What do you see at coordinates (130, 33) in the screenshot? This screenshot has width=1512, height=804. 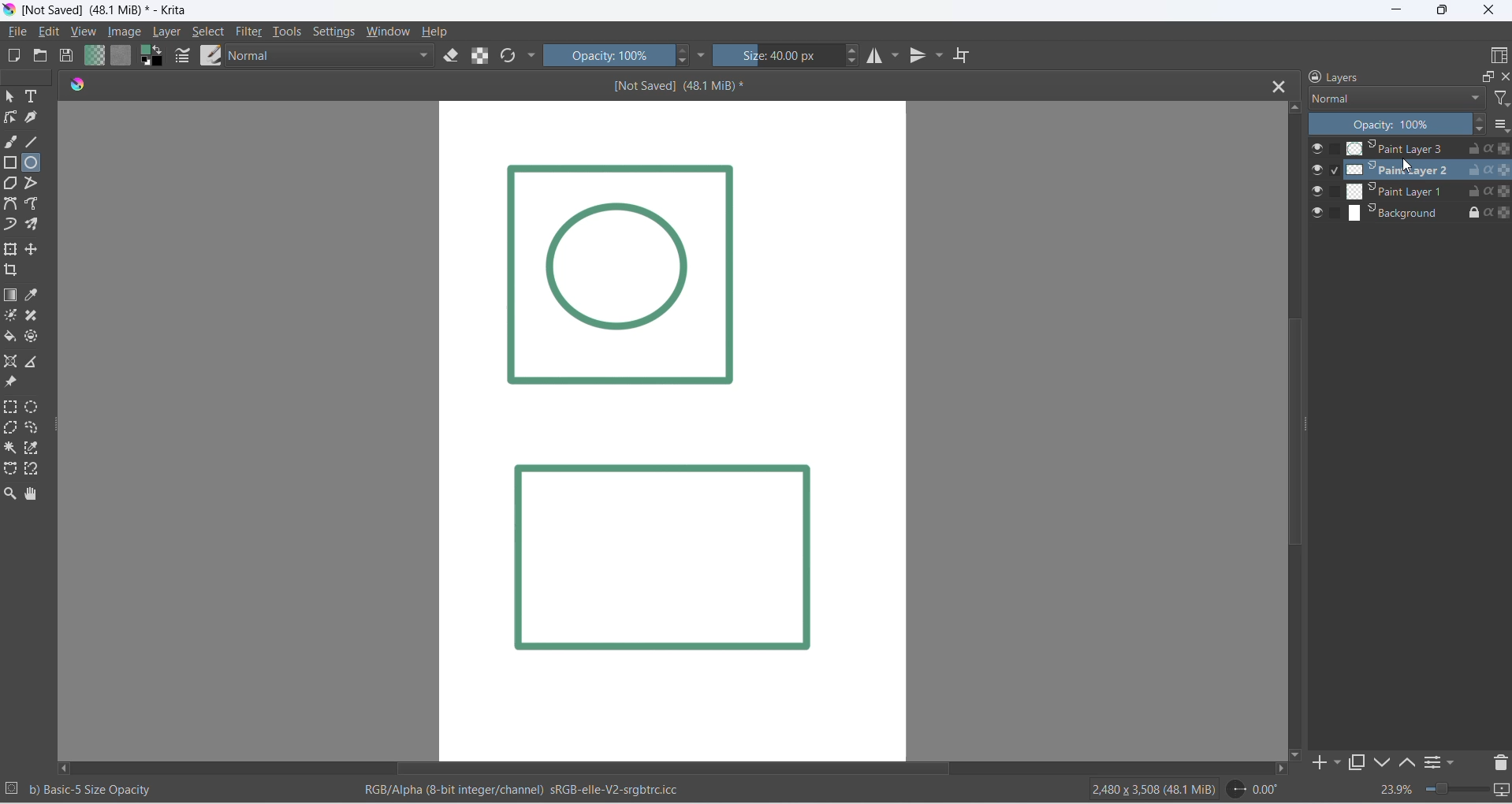 I see `image` at bounding box center [130, 33].